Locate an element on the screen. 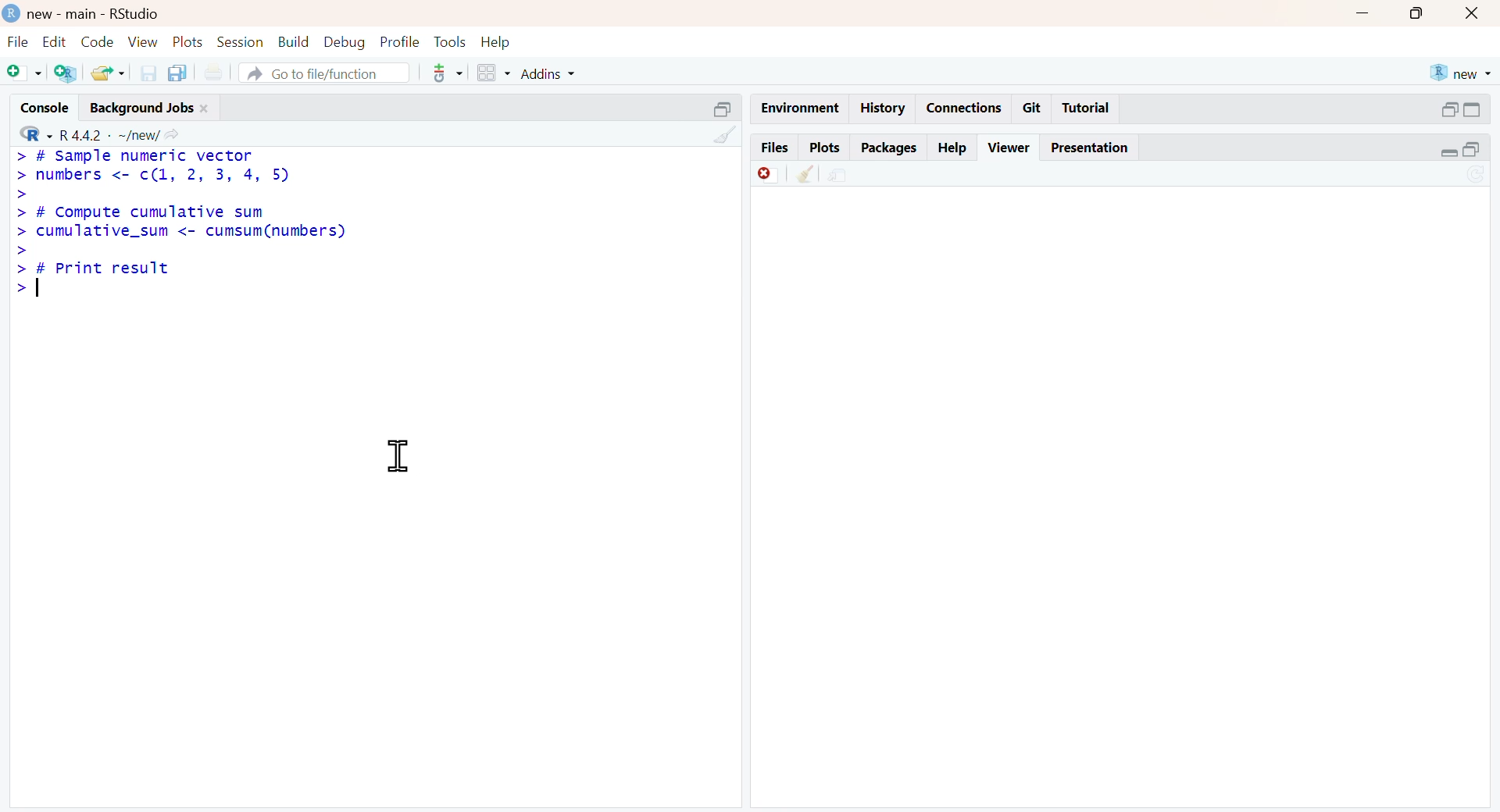  Environment is located at coordinates (800, 109).